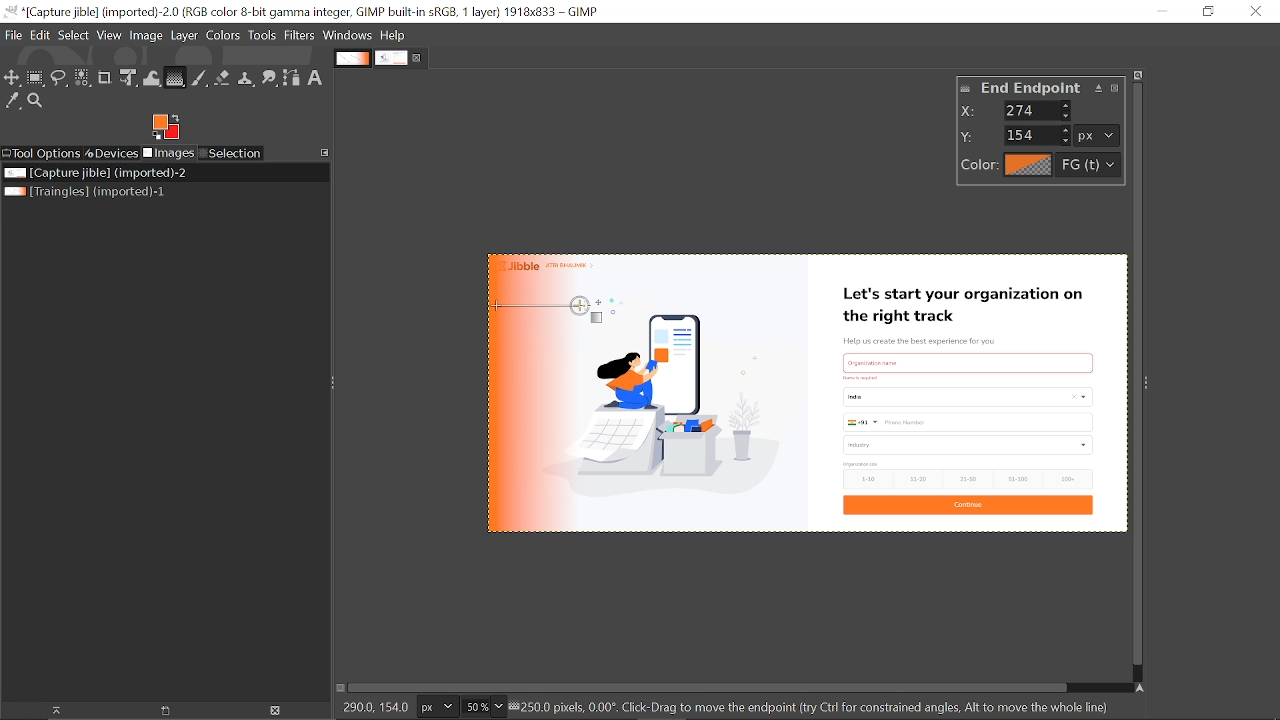 The width and height of the screenshot is (1280, 720). I want to click on Delete  the image, so click(278, 711).